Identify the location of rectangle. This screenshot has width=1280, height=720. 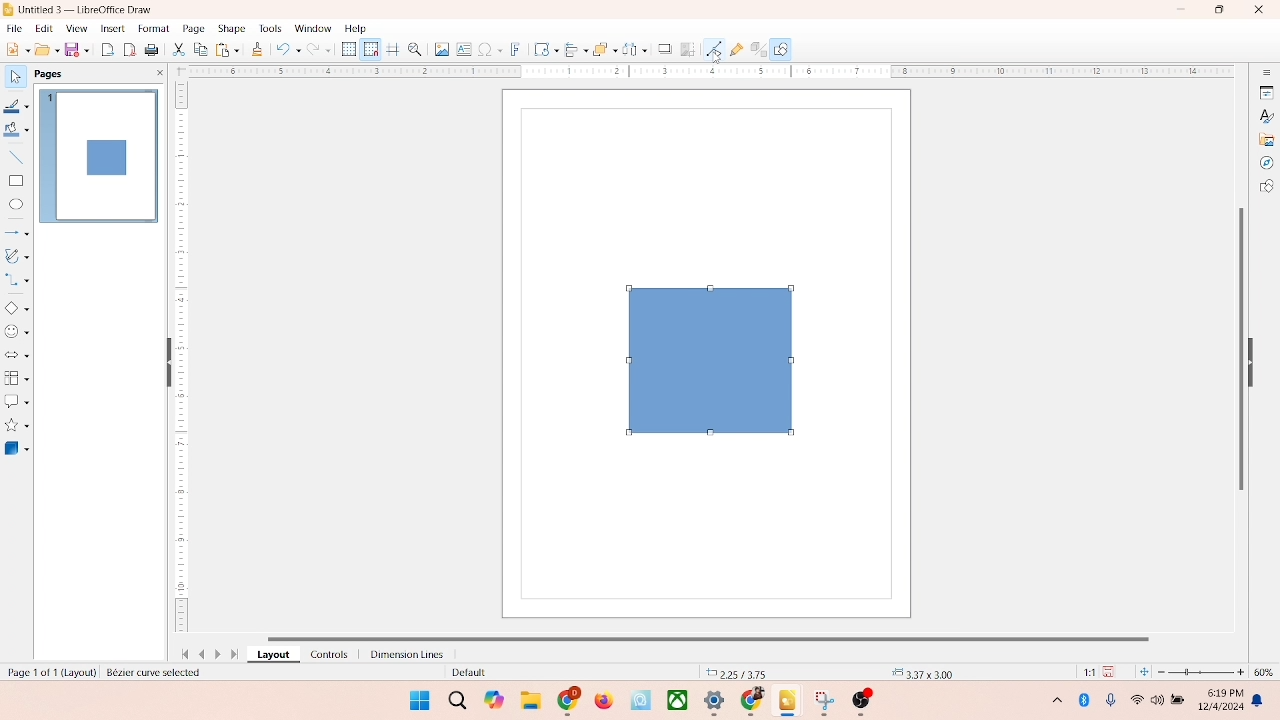
(16, 180).